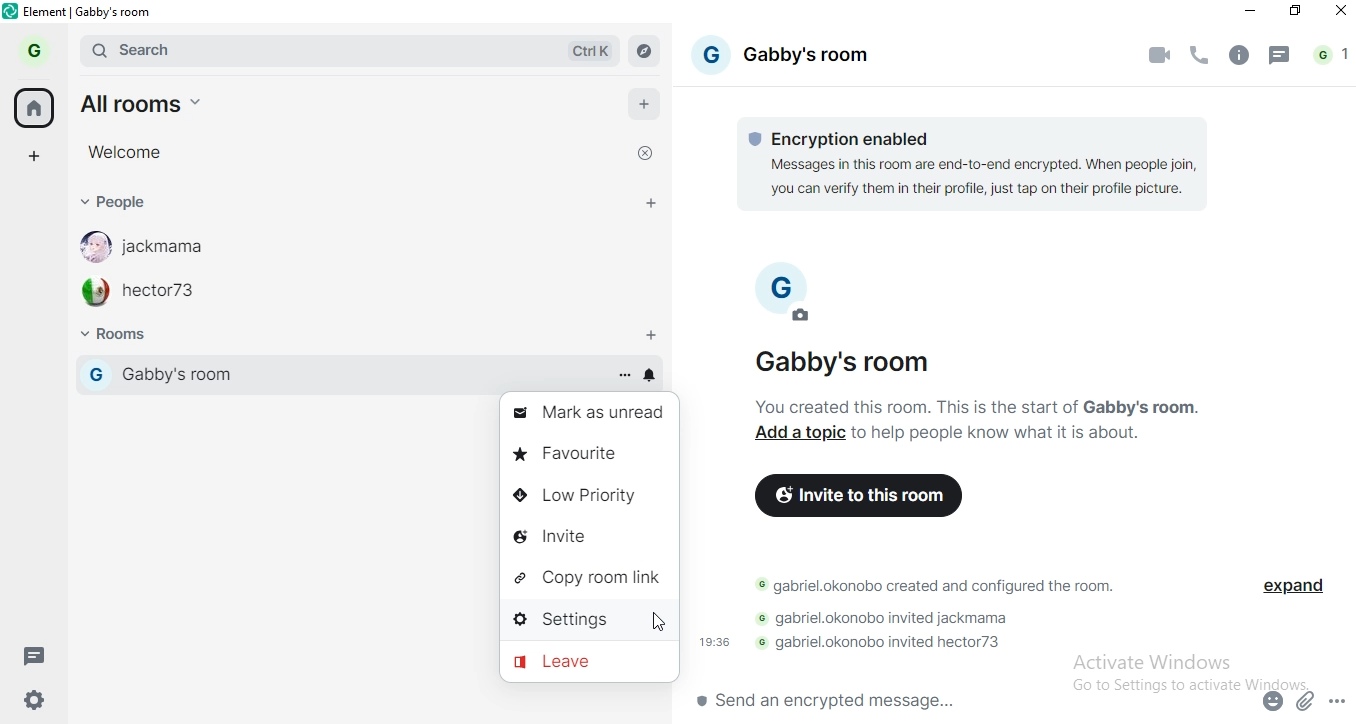 Image resolution: width=1356 pixels, height=724 pixels. What do you see at coordinates (37, 655) in the screenshot?
I see `message` at bounding box center [37, 655].